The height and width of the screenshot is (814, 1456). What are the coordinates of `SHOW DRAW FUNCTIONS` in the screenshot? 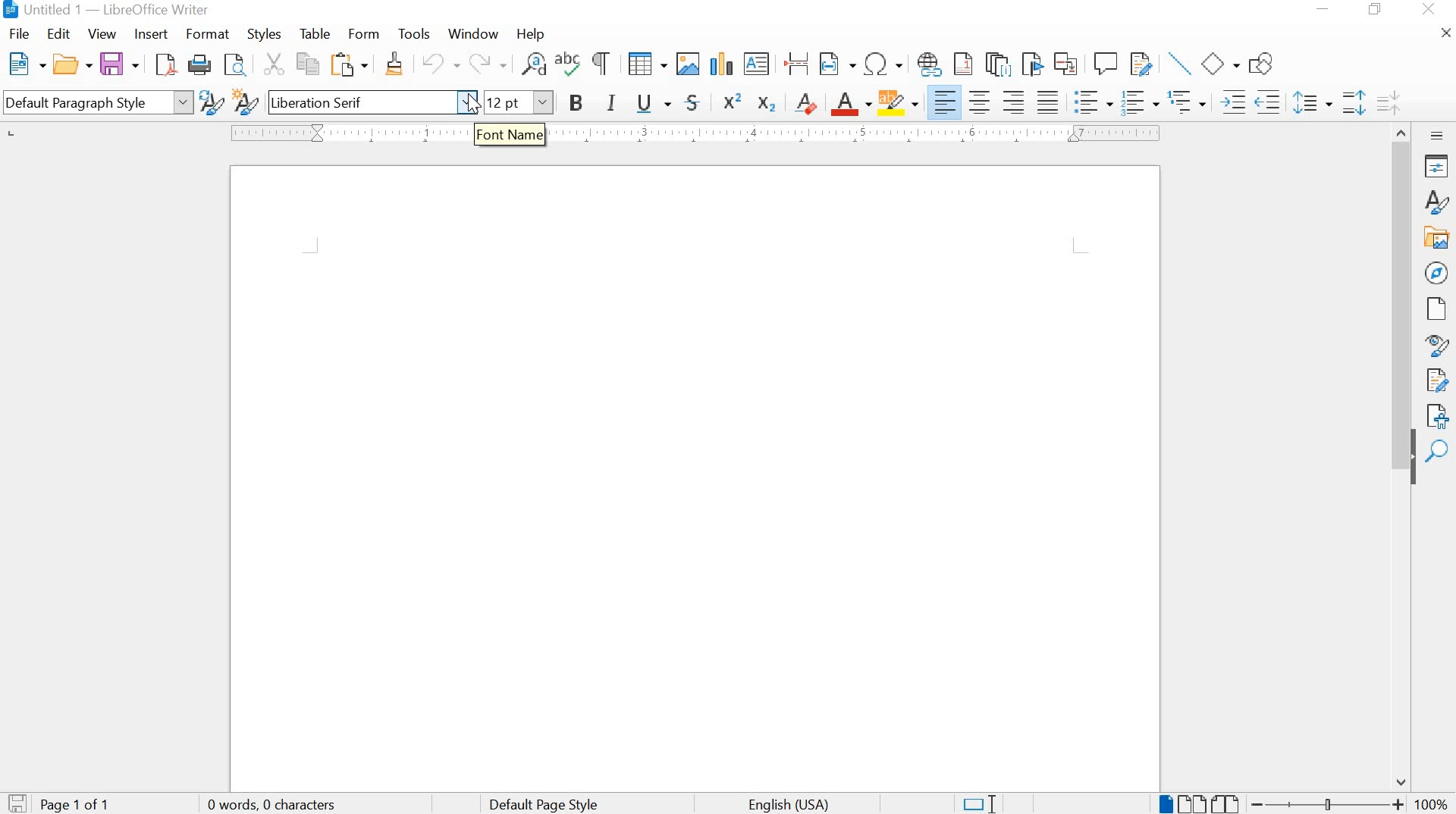 It's located at (1264, 61).